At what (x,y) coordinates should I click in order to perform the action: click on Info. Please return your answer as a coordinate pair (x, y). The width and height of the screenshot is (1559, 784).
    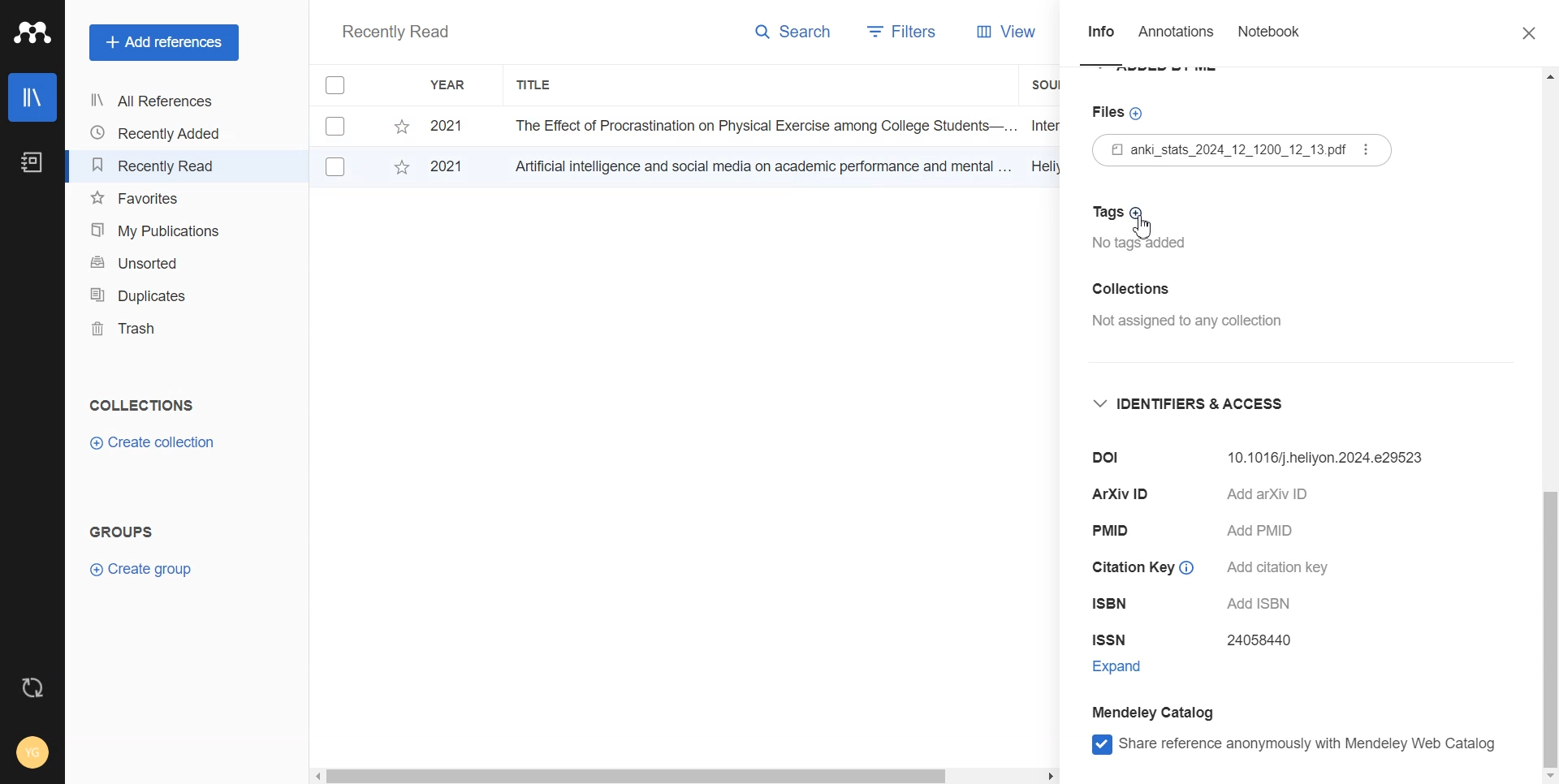
    Looking at the image, I should click on (1101, 37).